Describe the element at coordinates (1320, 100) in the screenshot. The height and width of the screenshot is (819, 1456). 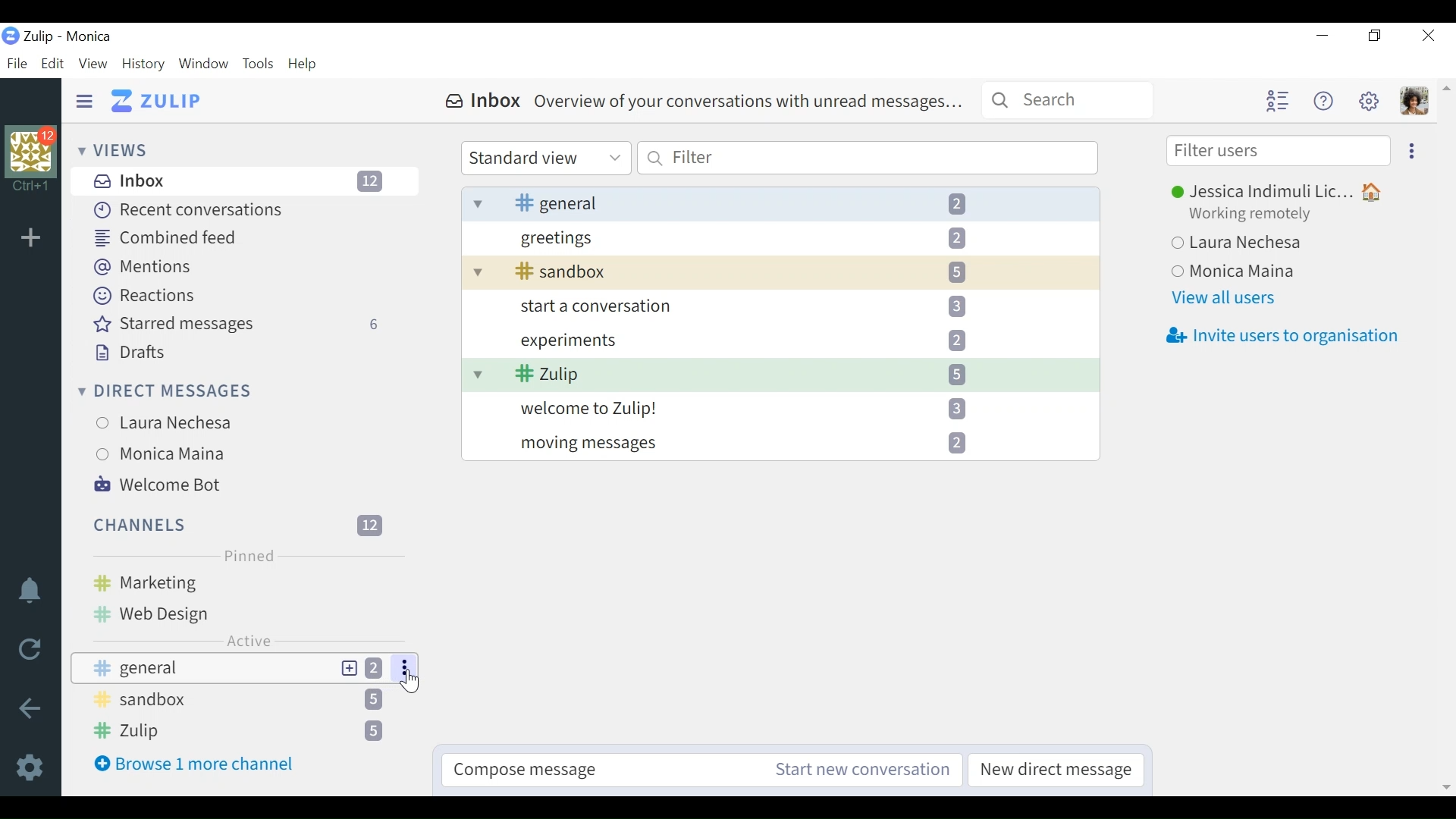
I see `Help ` at that location.